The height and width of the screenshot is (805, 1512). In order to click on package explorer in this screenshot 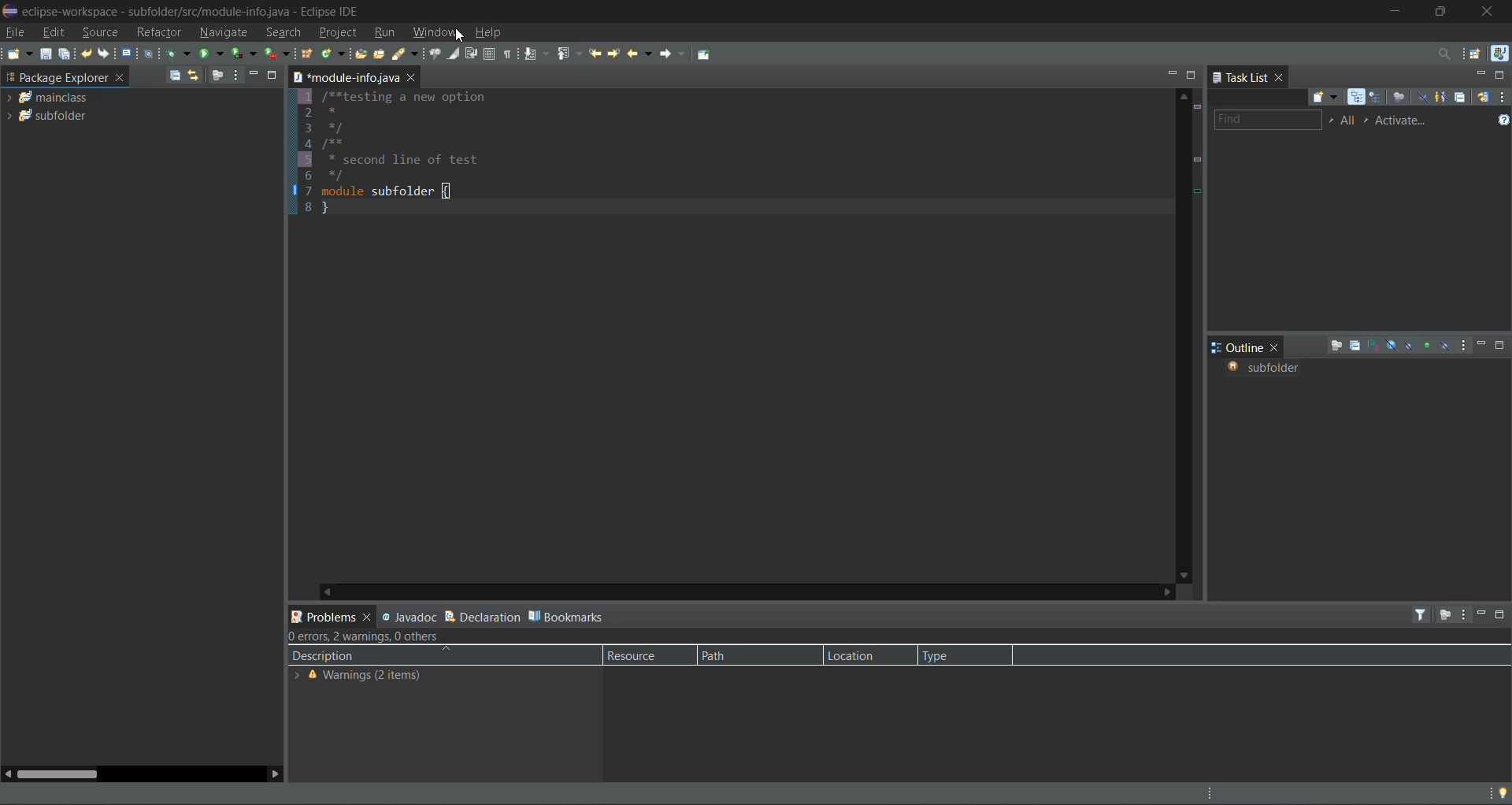, I will do `click(56, 77)`.